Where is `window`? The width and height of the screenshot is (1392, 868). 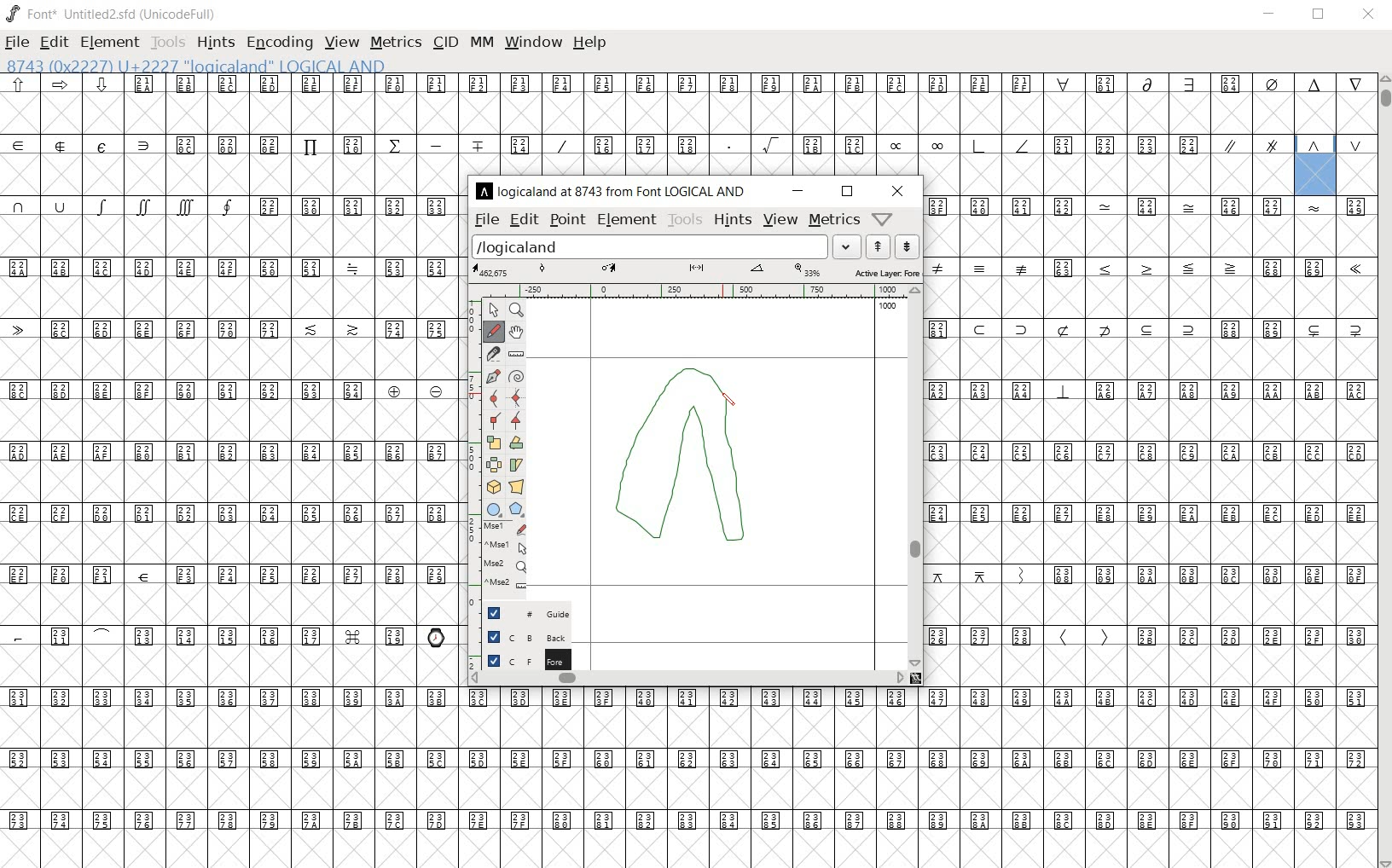 window is located at coordinates (532, 42).